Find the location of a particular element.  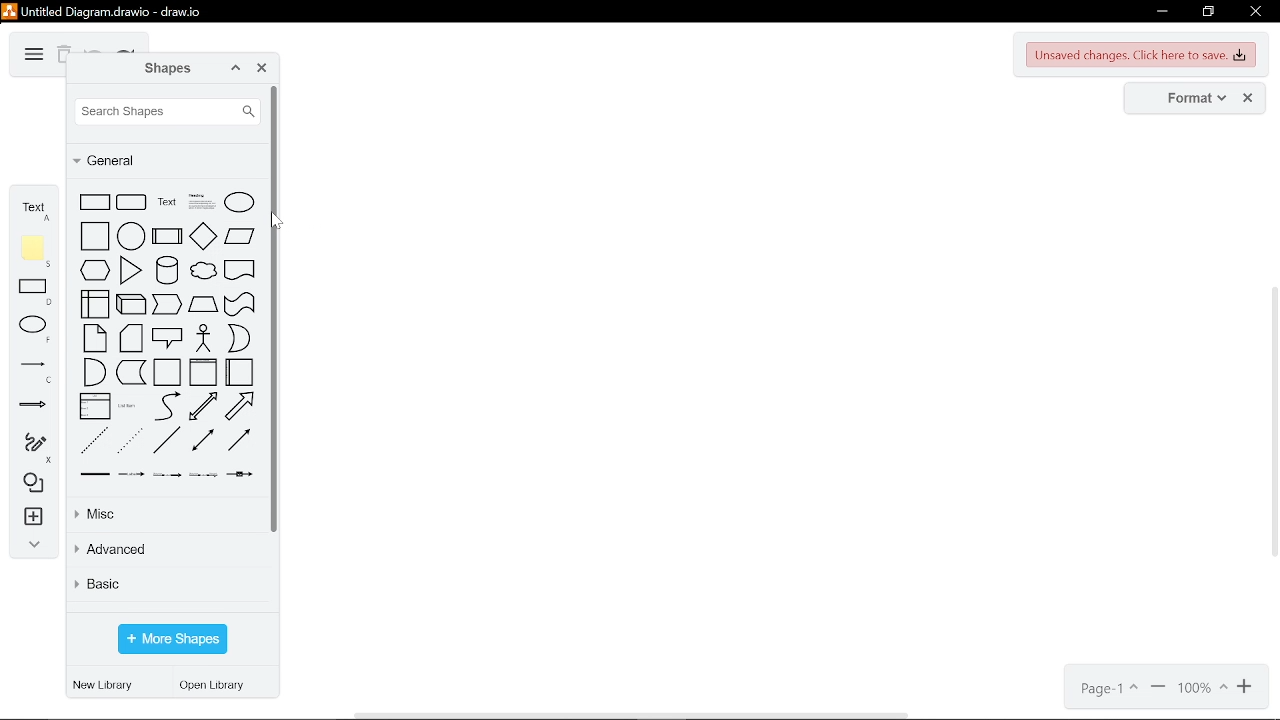

curve is located at coordinates (167, 406).